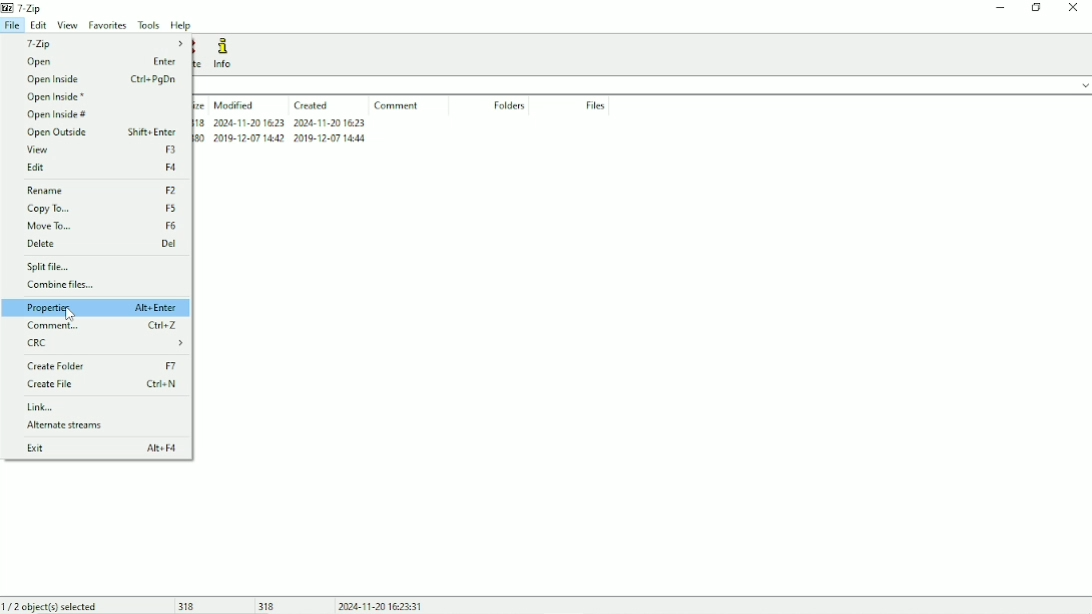  I want to click on Open Inside, so click(98, 80).